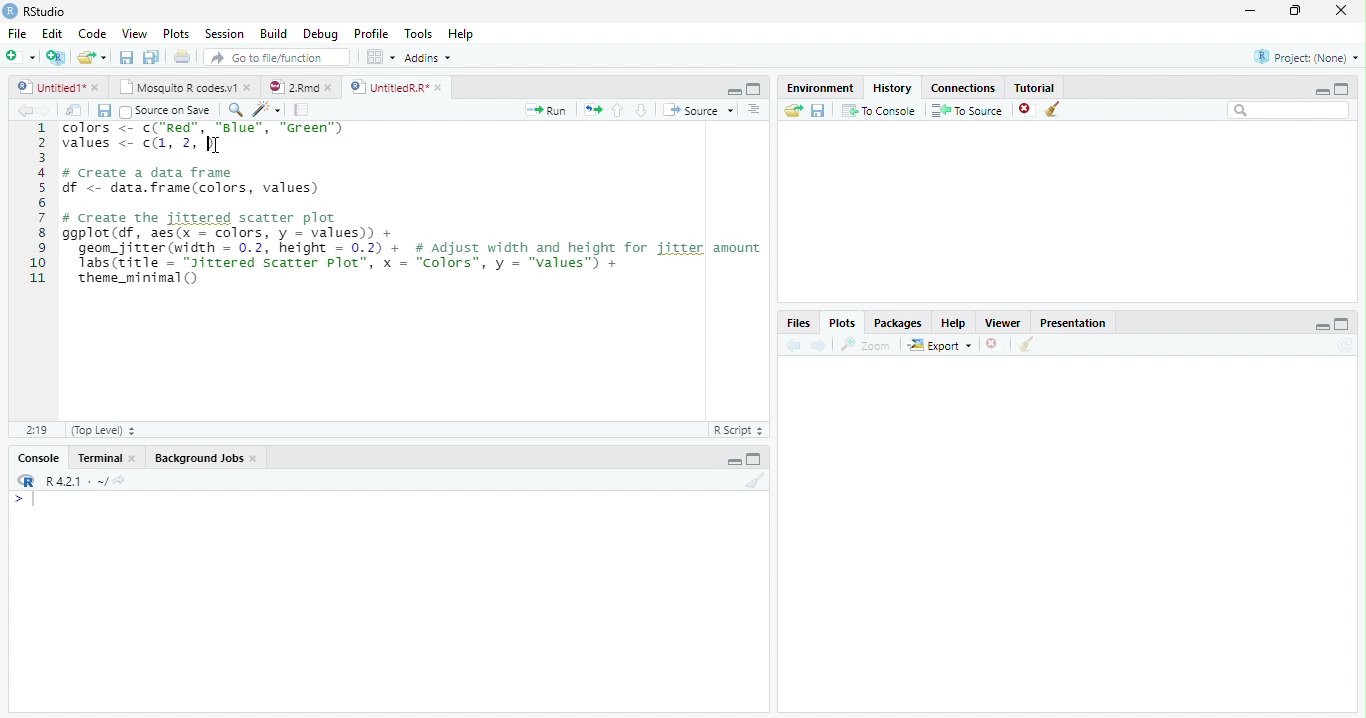 The image size is (1366, 718). Describe the element at coordinates (733, 91) in the screenshot. I see `Minimize` at that location.